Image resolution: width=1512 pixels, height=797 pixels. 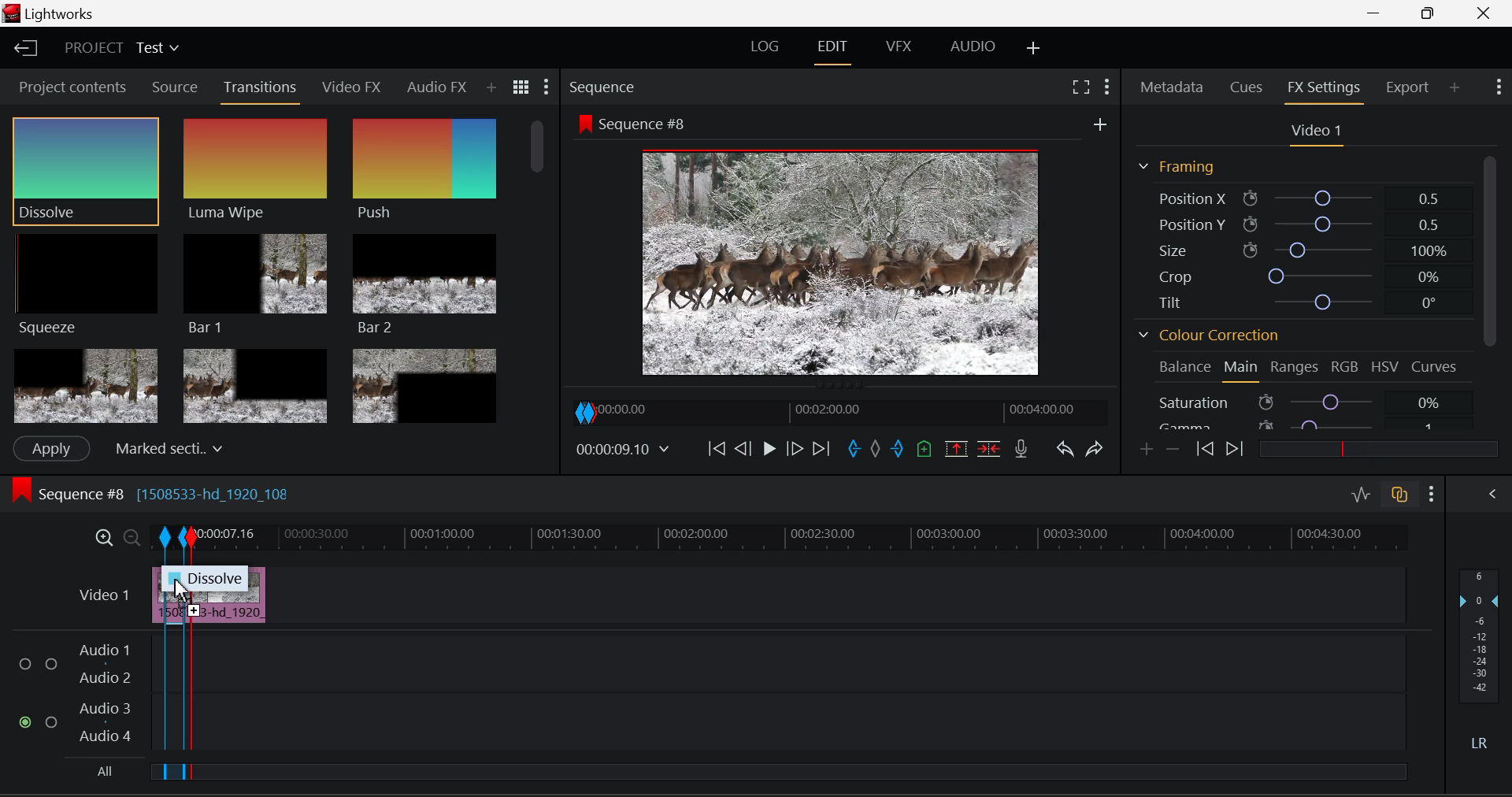 What do you see at coordinates (255, 384) in the screenshot?
I see `Box 2` at bounding box center [255, 384].